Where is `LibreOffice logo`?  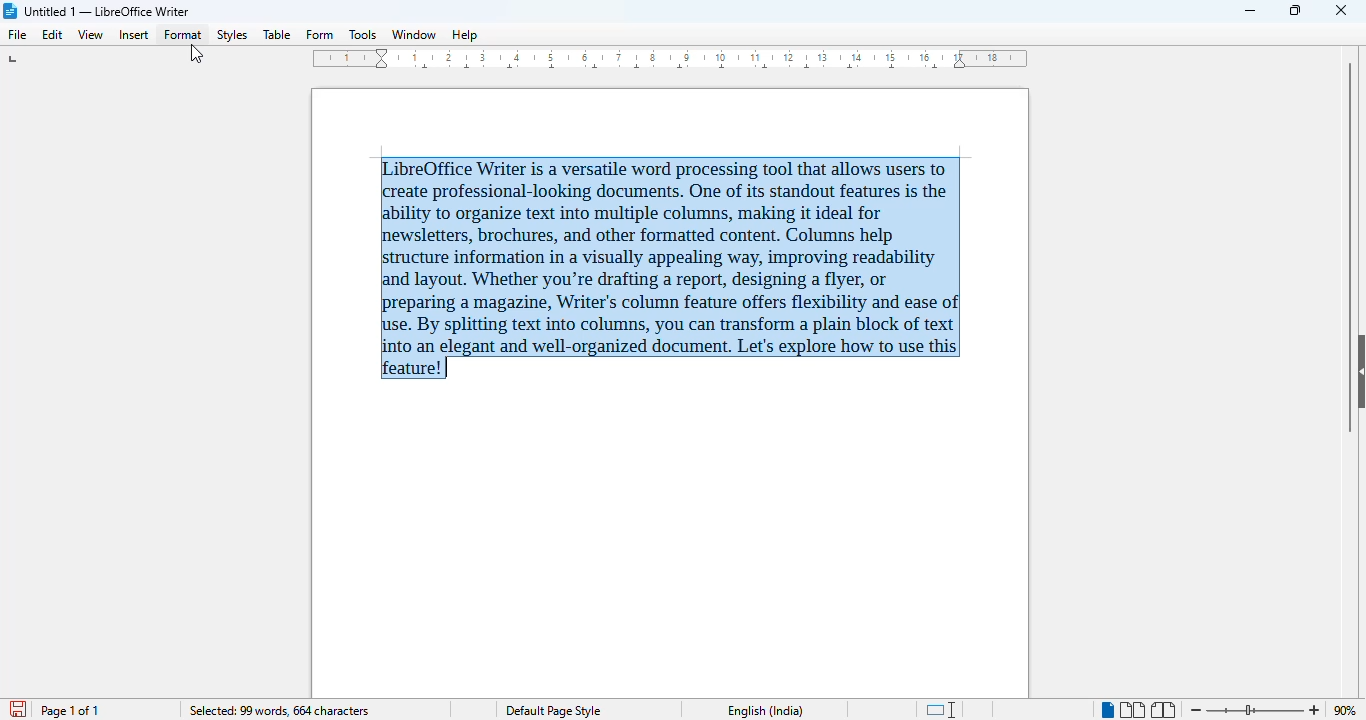 LibreOffice logo is located at coordinates (11, 11).